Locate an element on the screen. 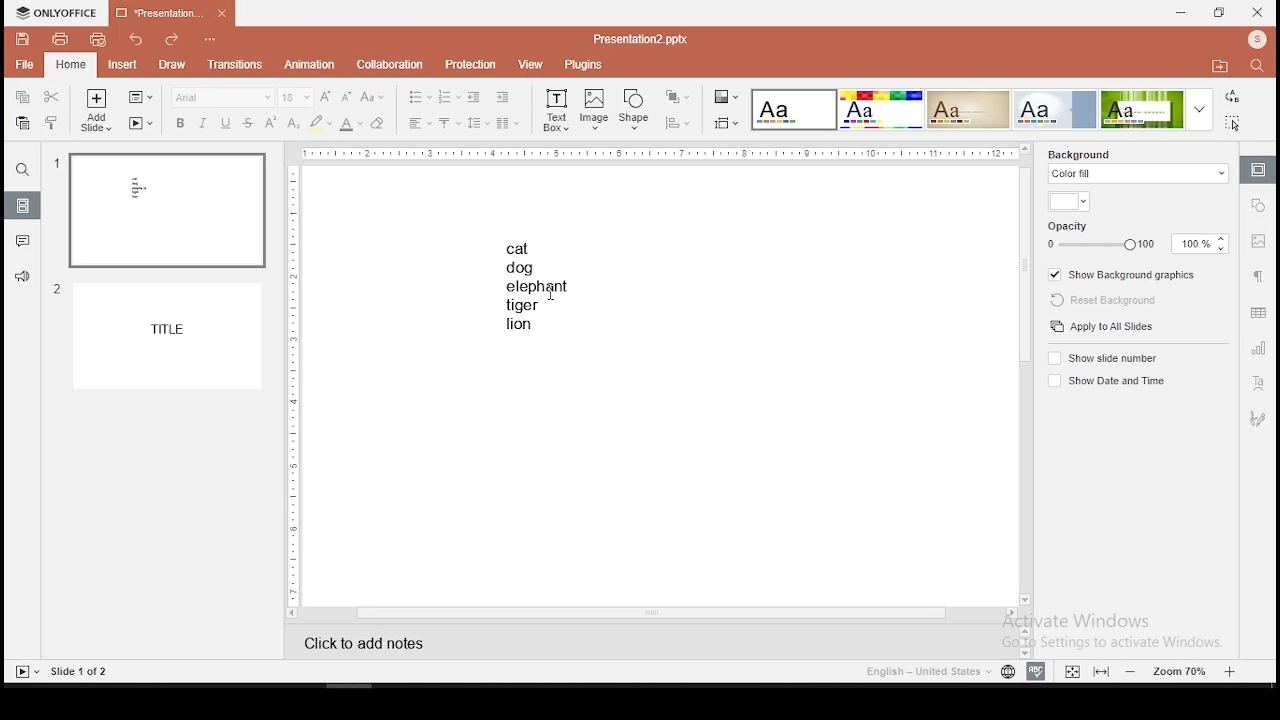  reset background is located at coordinates (1104, 301).